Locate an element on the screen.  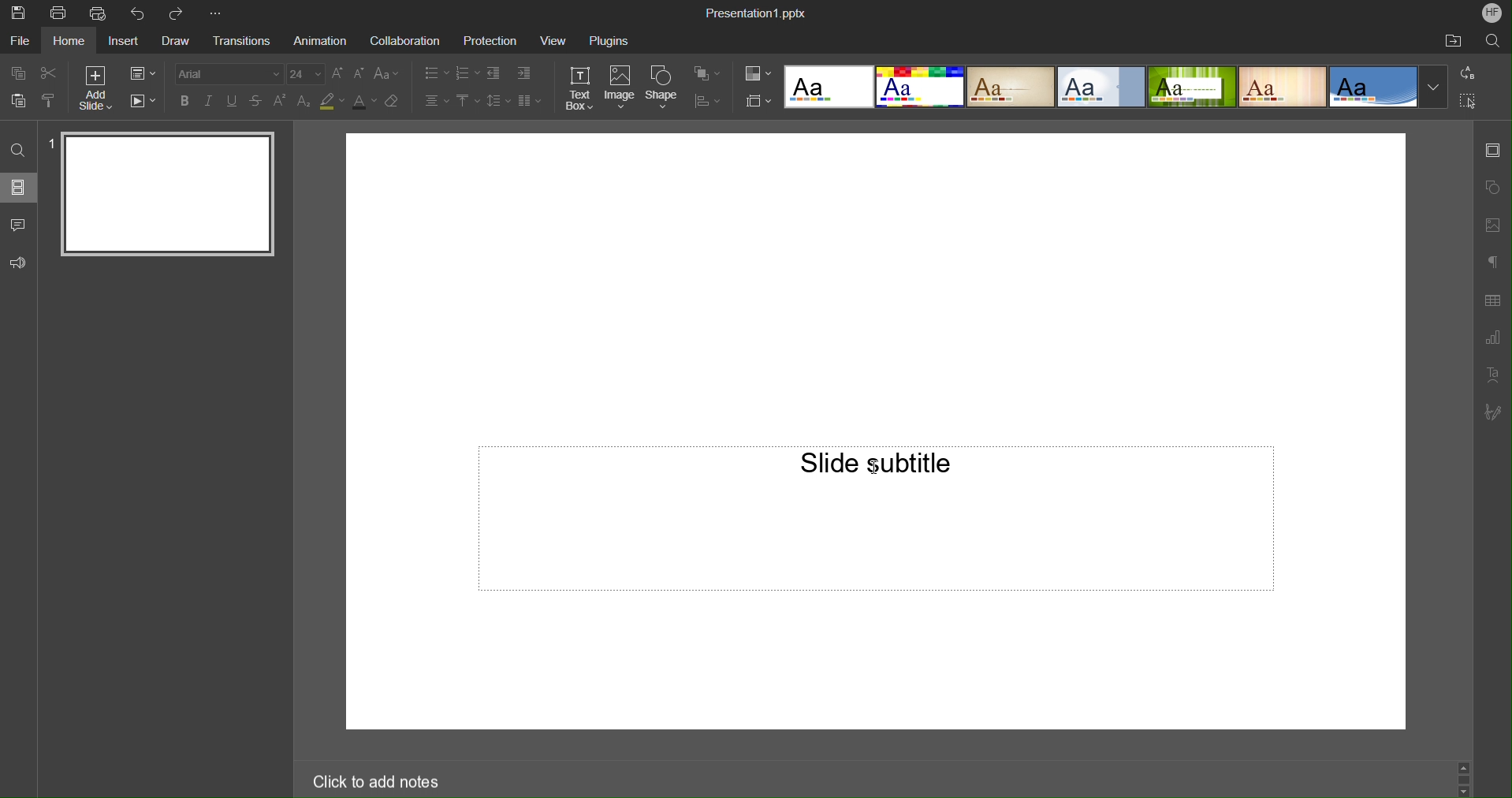
View is located at coordinates (550, 40).